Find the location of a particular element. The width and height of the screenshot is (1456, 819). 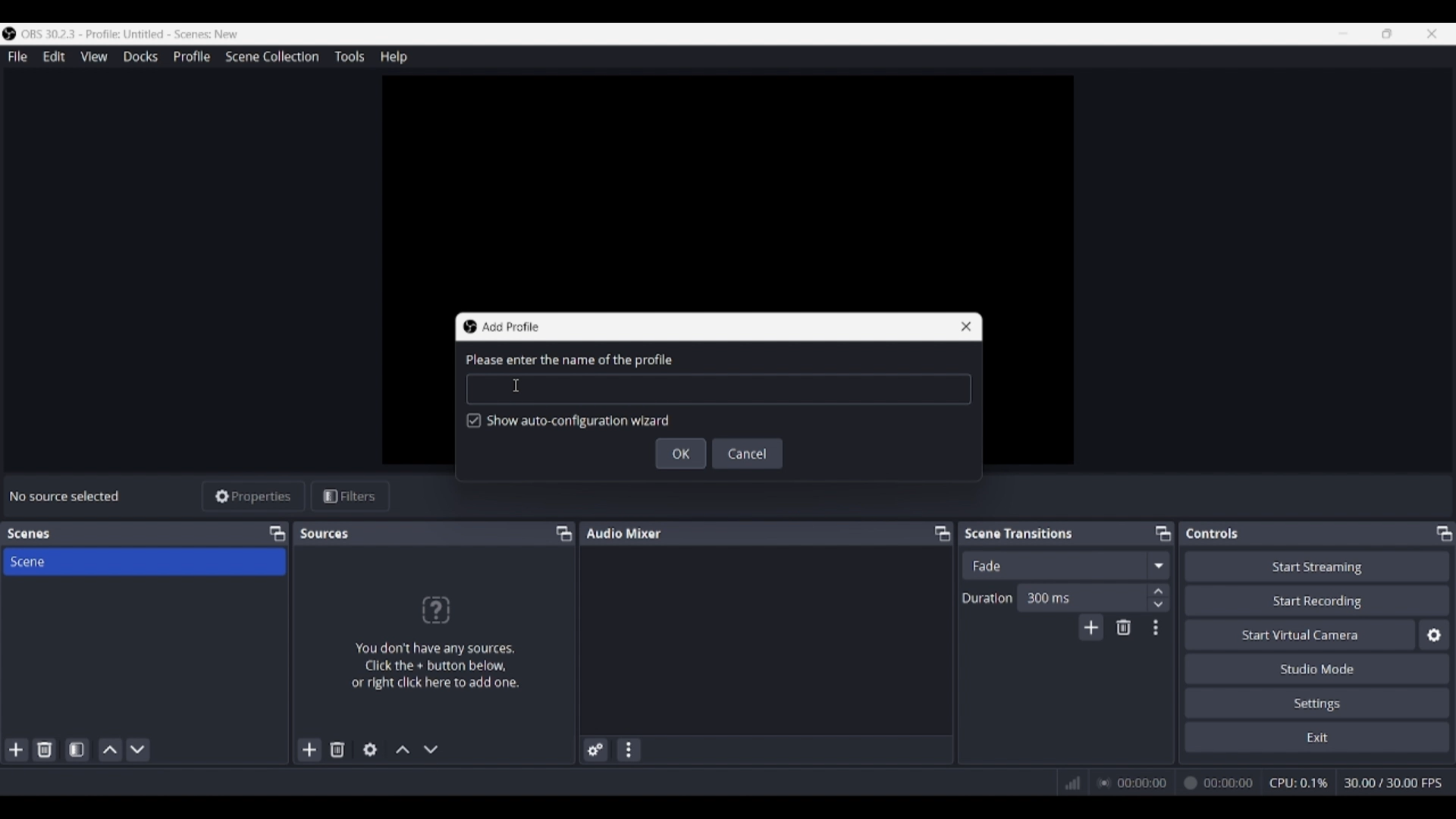

Studio mode is located at coordinates (1317, 668).